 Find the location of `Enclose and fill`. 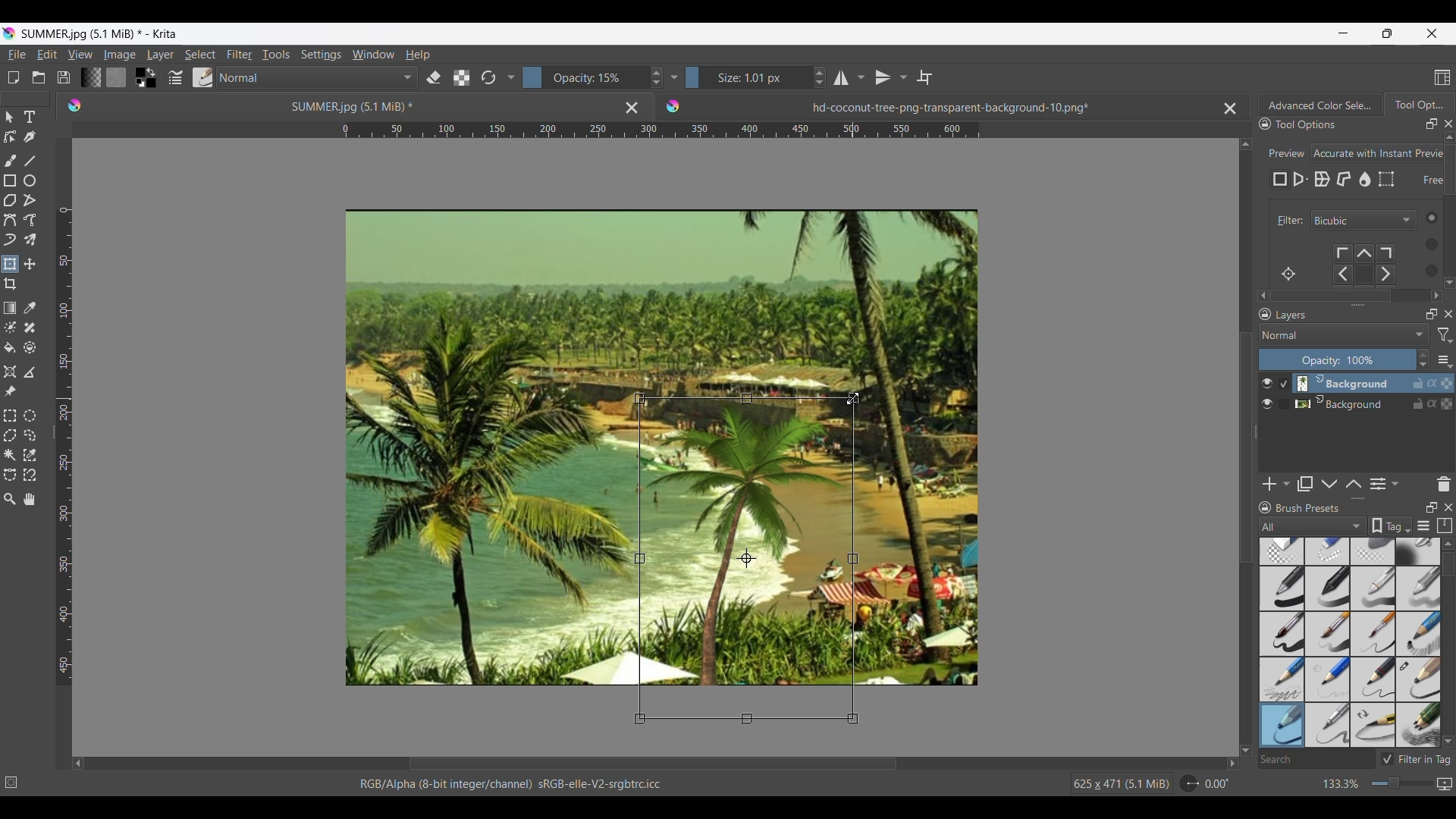

Enclose and fill is located at coordinates (29, 348).